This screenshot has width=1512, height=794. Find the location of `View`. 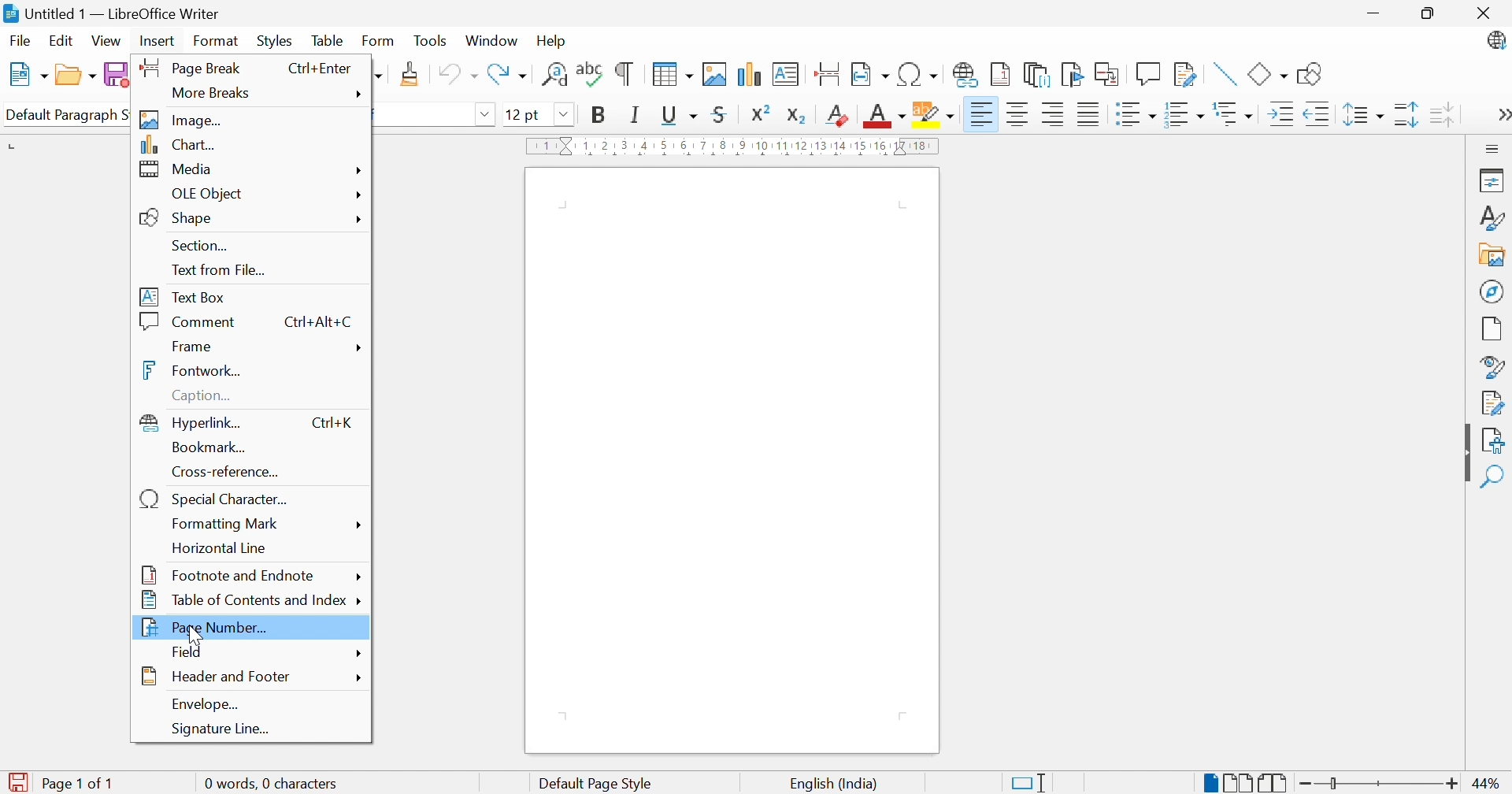

View is located at coordinates (106, 42).